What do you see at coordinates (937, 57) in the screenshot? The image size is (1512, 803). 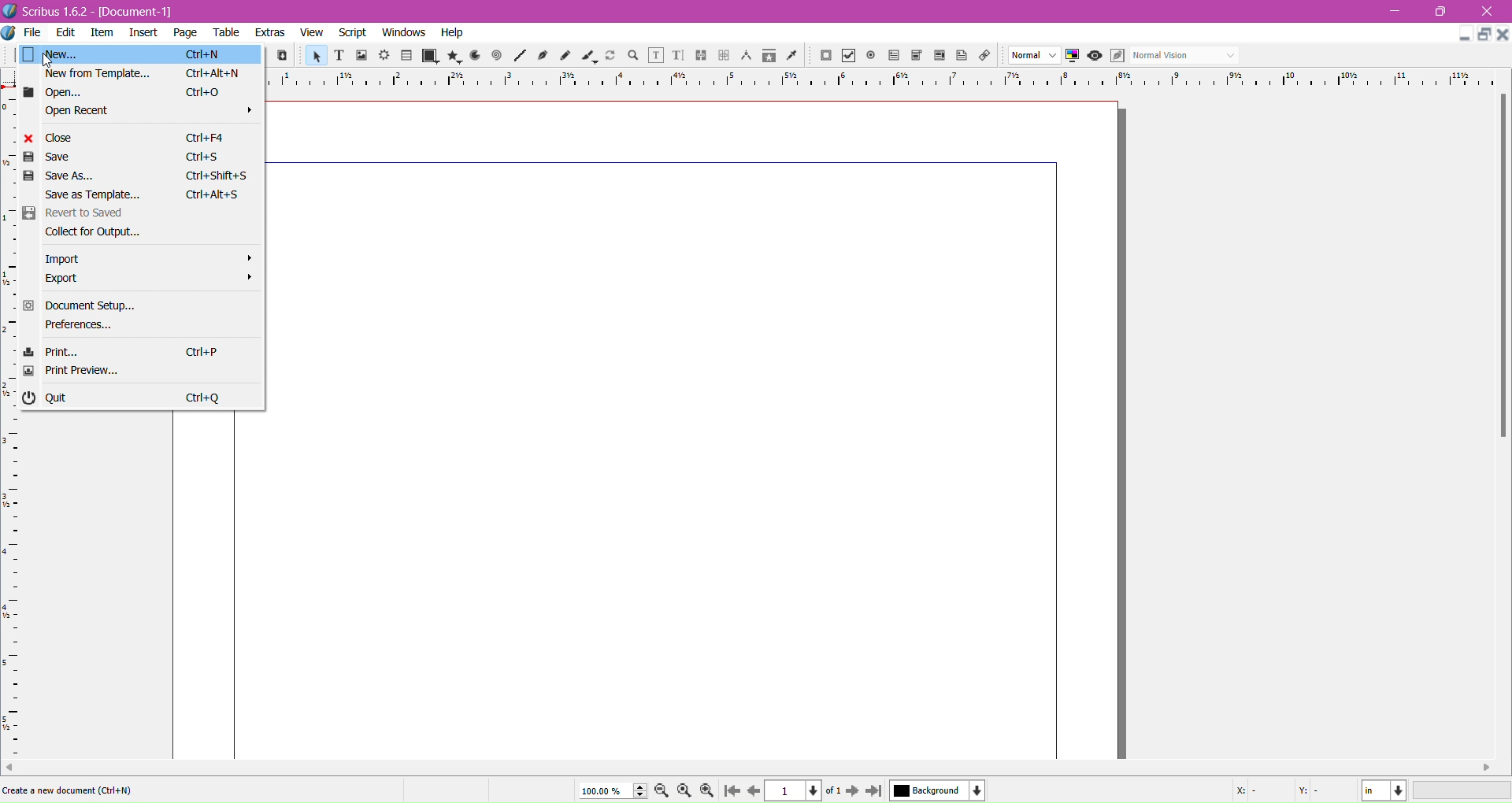 I see `icon` at bounding box center [937, 57].